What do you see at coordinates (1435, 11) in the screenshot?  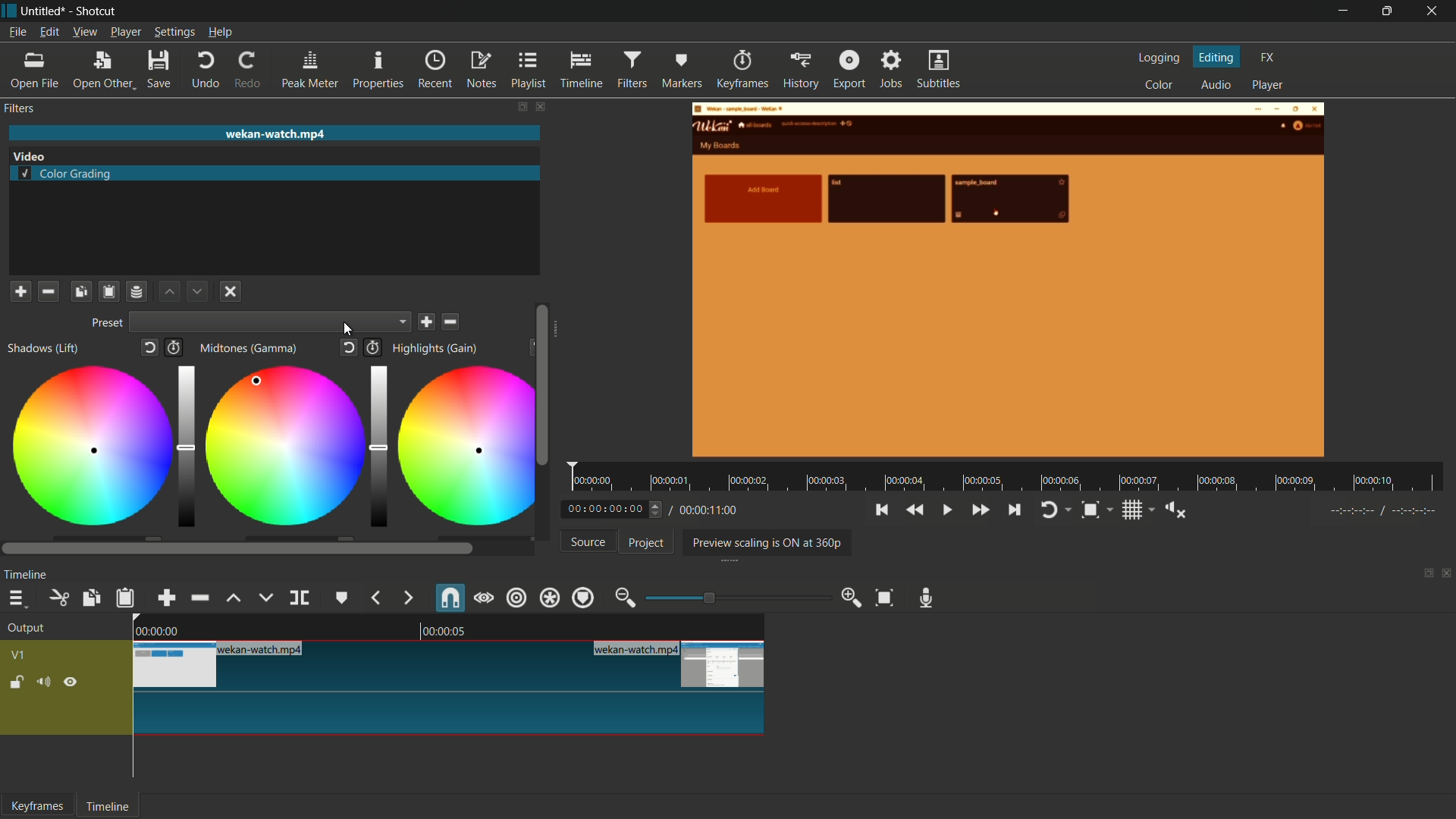 I see `close app` at bounding box center [1435, 11].